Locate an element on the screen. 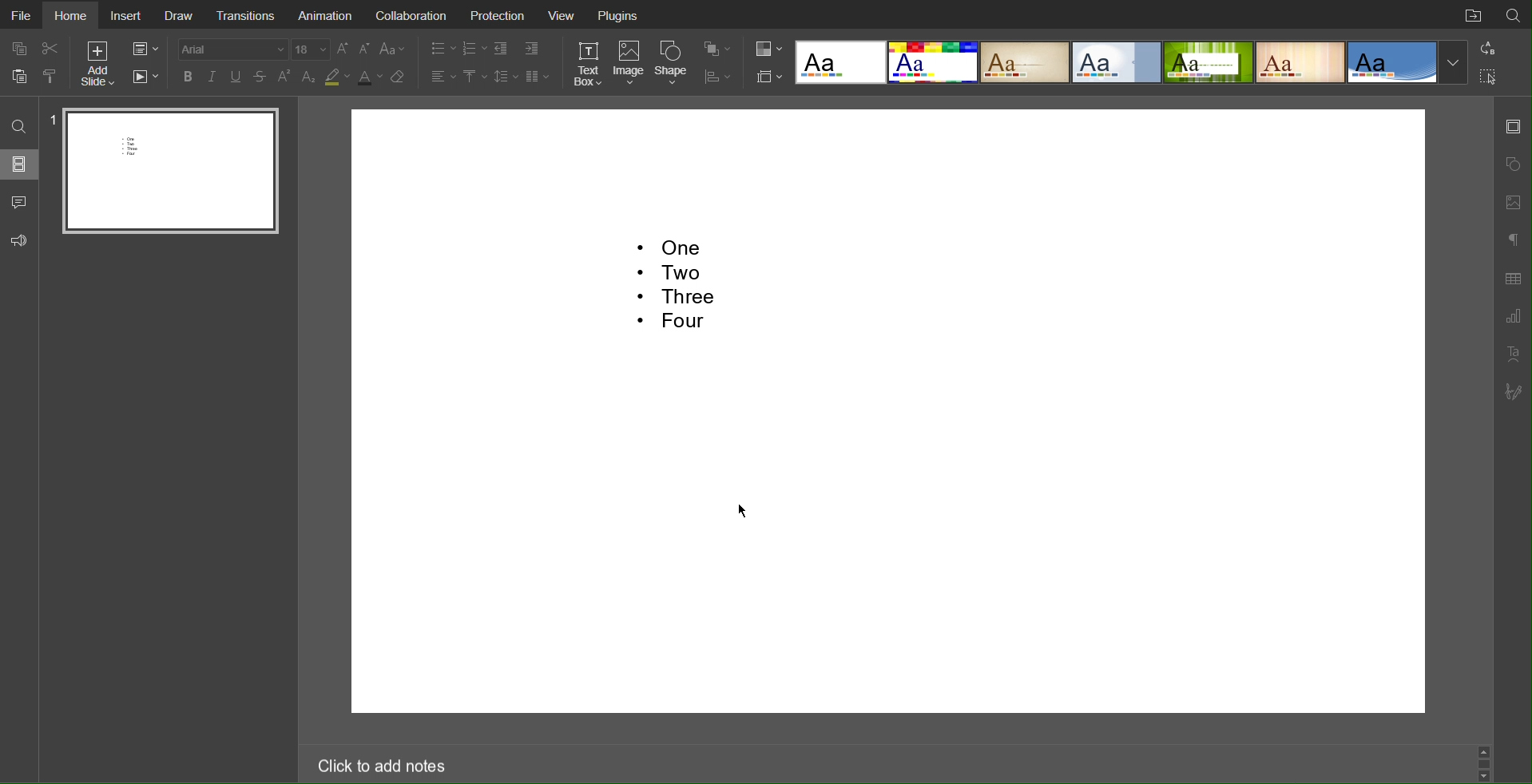  File is located at coordinates (21, 14).